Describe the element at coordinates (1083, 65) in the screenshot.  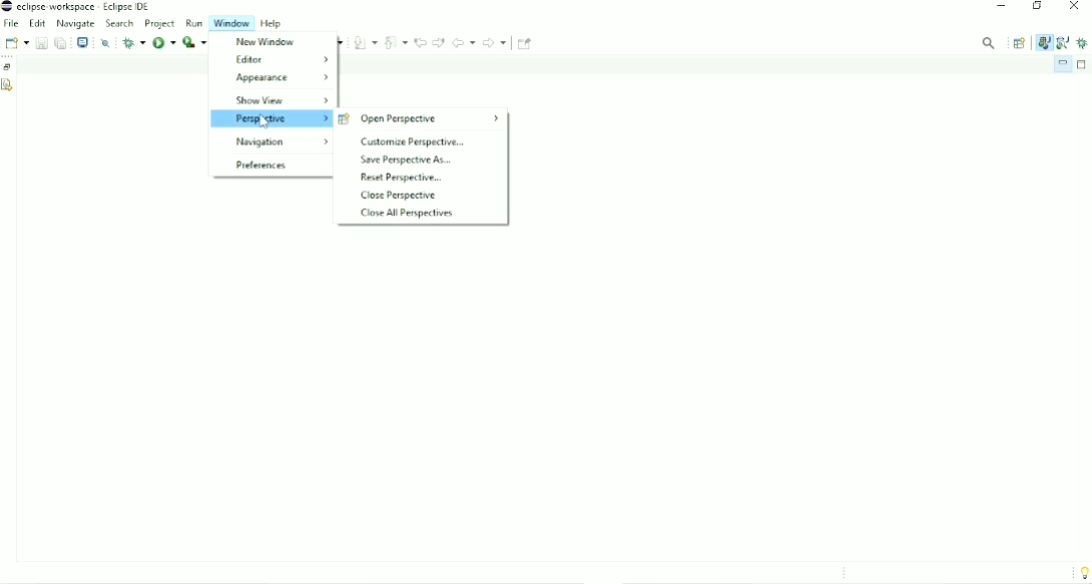
I see `Maximize` at that location.